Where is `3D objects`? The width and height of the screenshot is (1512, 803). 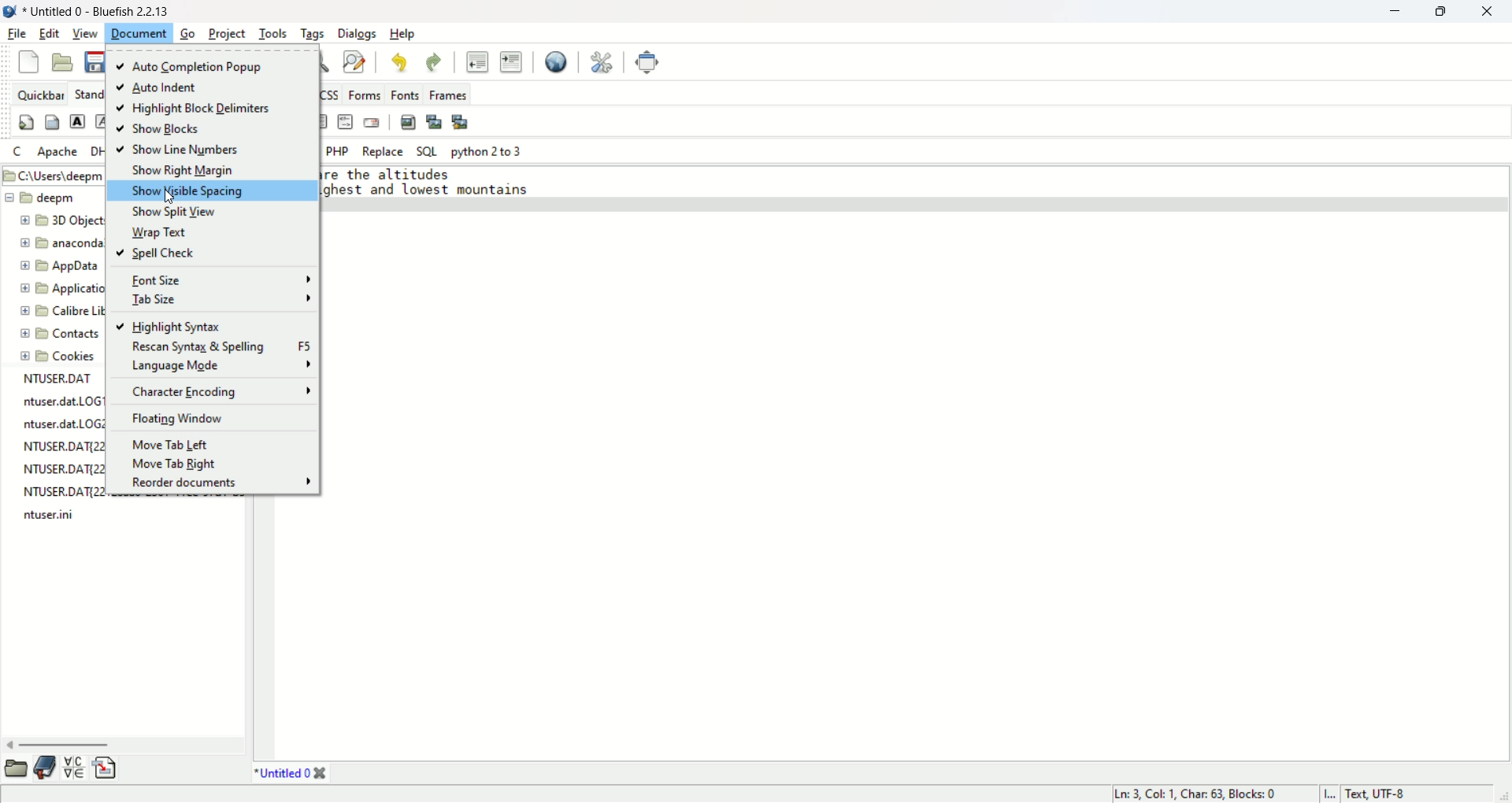 3D objects is located at coordinates (61, 221).